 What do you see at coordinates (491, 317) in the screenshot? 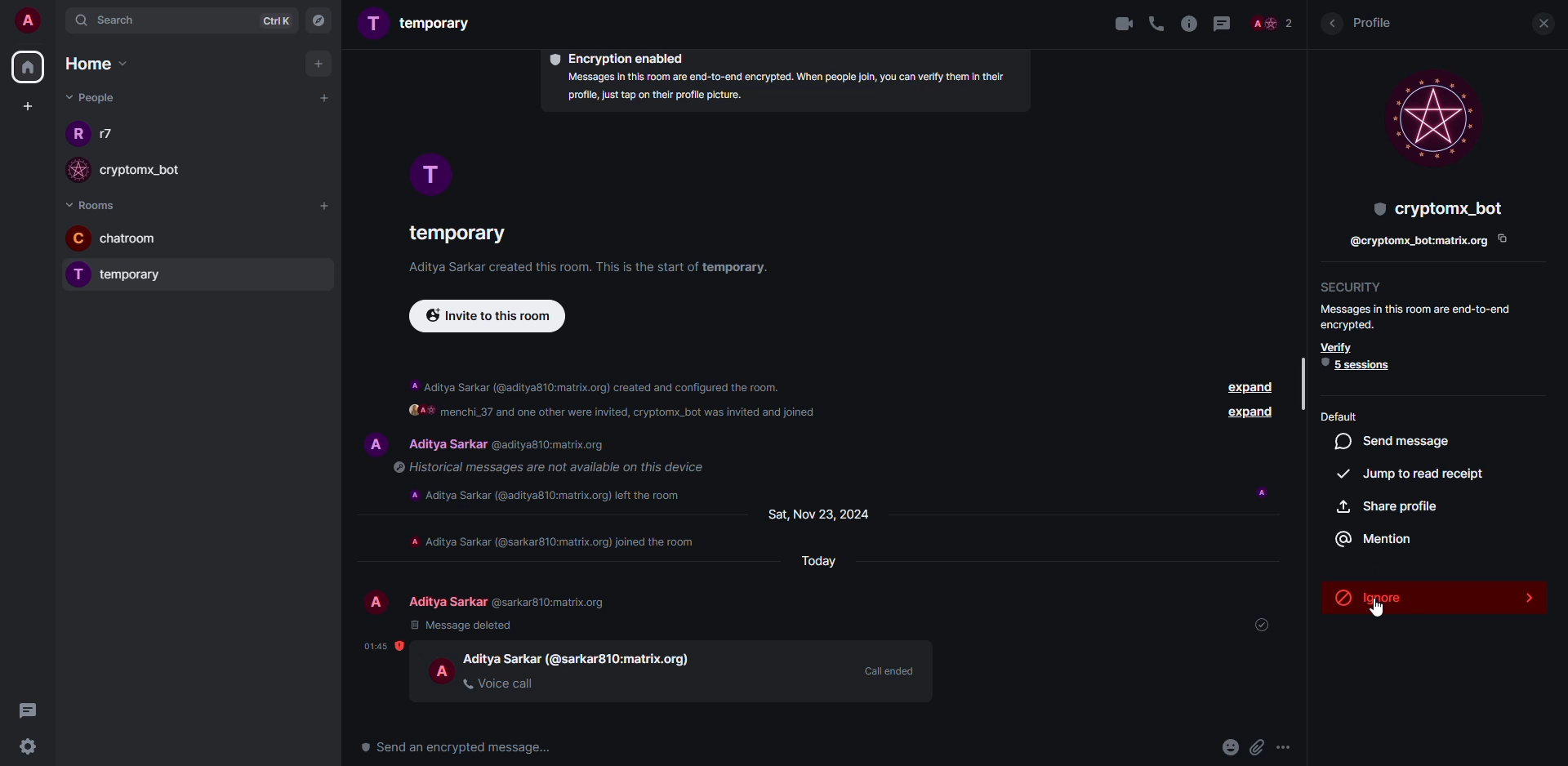
I see `invite to this room` at bounding box center [491, 317].